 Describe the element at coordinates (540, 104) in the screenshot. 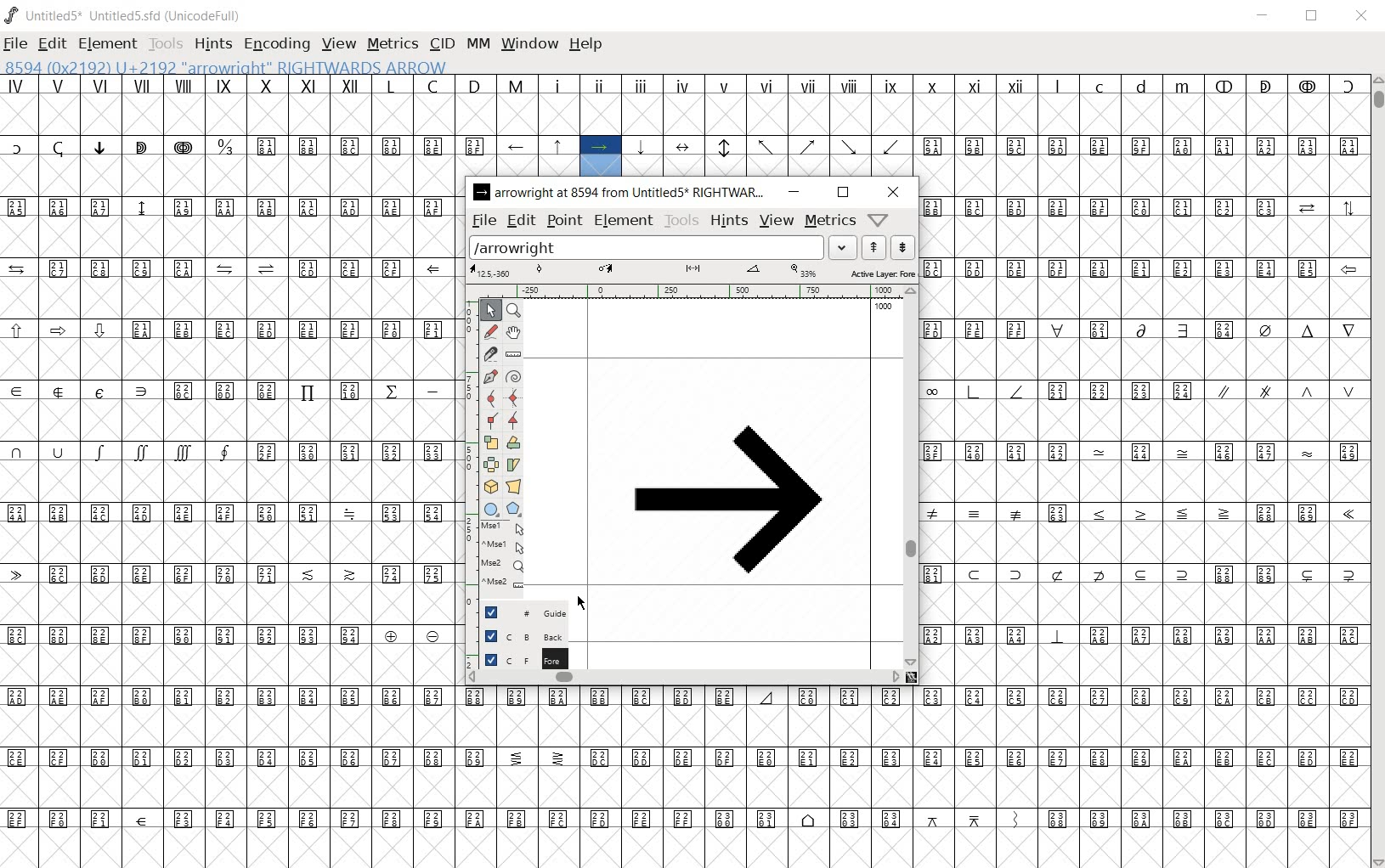

I see `gylph characters` at that location.